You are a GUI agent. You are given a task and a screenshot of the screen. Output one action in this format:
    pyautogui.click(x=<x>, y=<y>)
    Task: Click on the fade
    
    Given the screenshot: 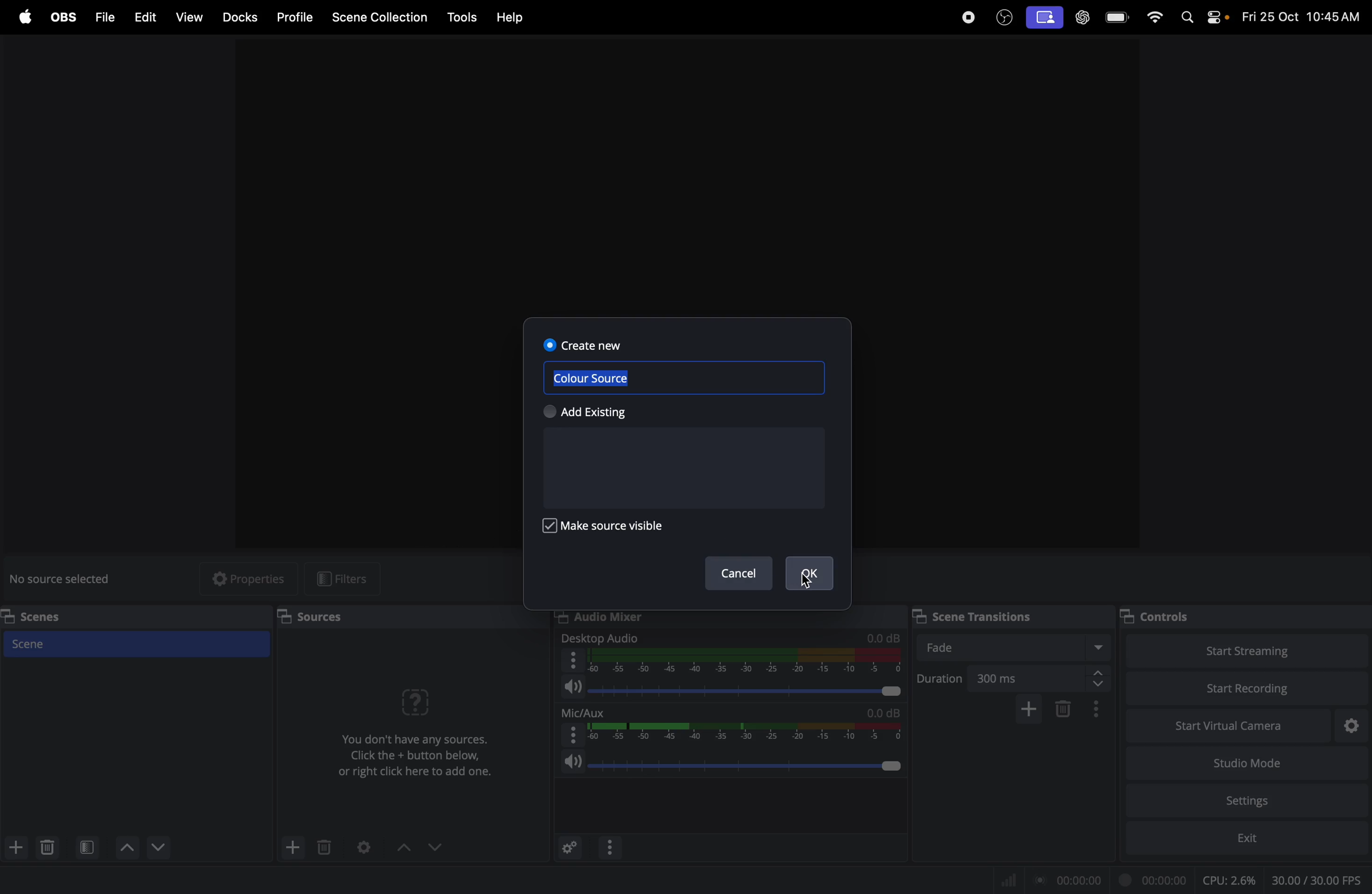 What is the action you would take?
    pyautogui.click(x=1017, y=647)
    